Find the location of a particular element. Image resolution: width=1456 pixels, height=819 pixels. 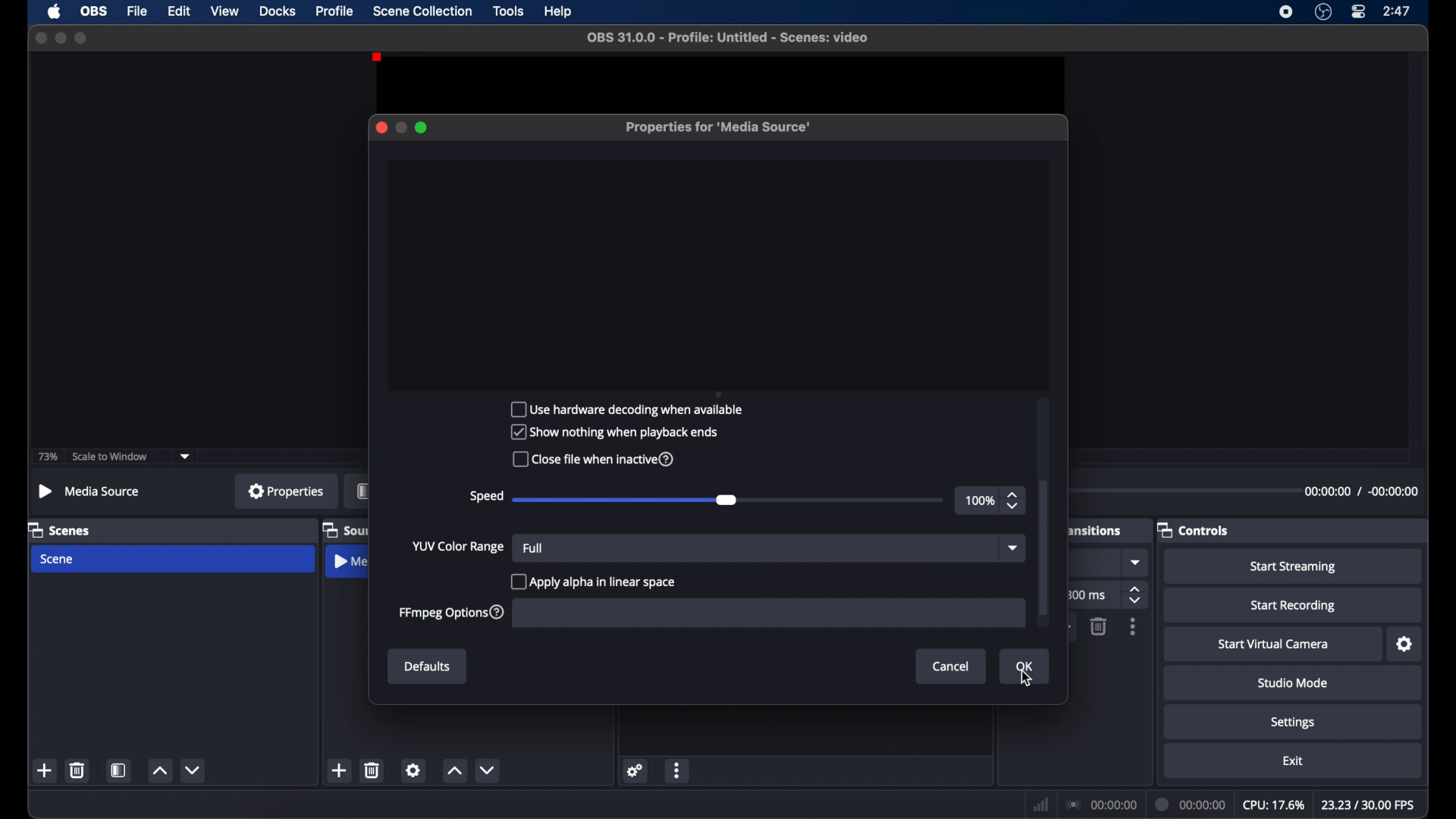

minimize is located at coordinates (59, 38).